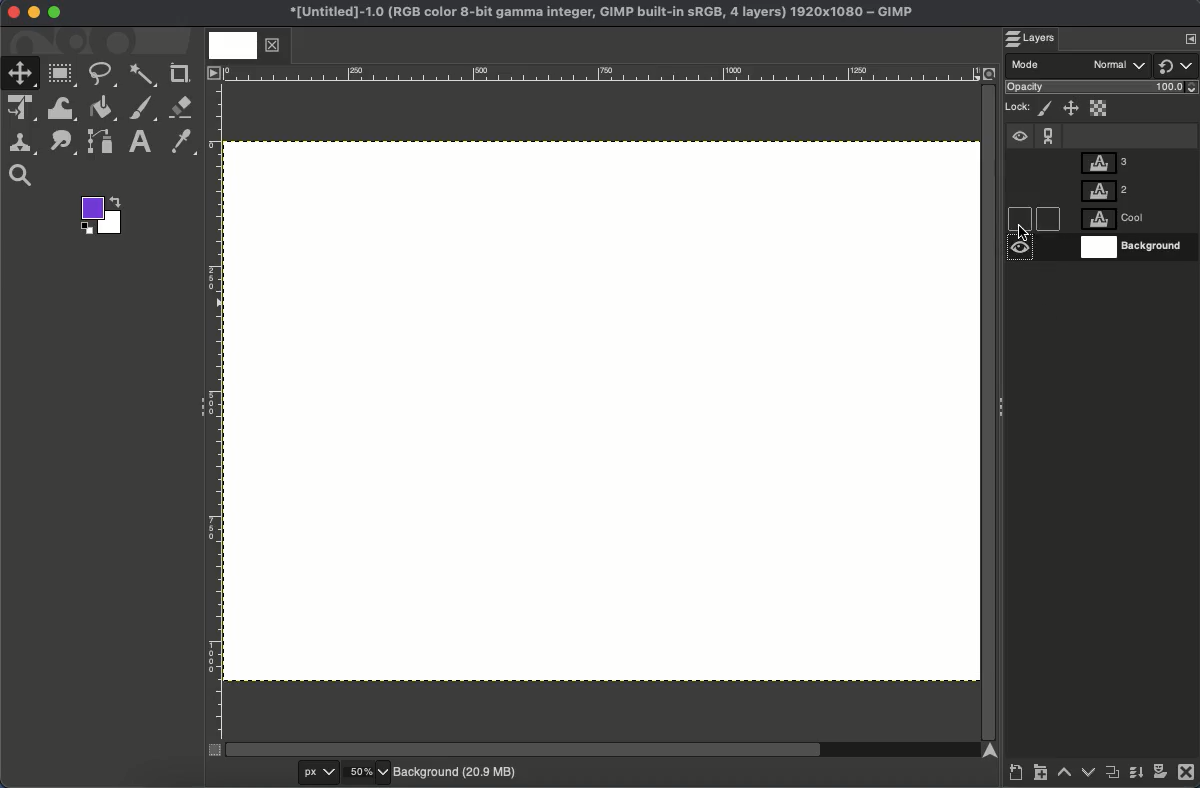 The width and height of the screenshot is (1200, 788). What do you see at coordinates (1015, 775) in the screenshot?
I see `Create a new layer` at bounding box center [1015, 775].